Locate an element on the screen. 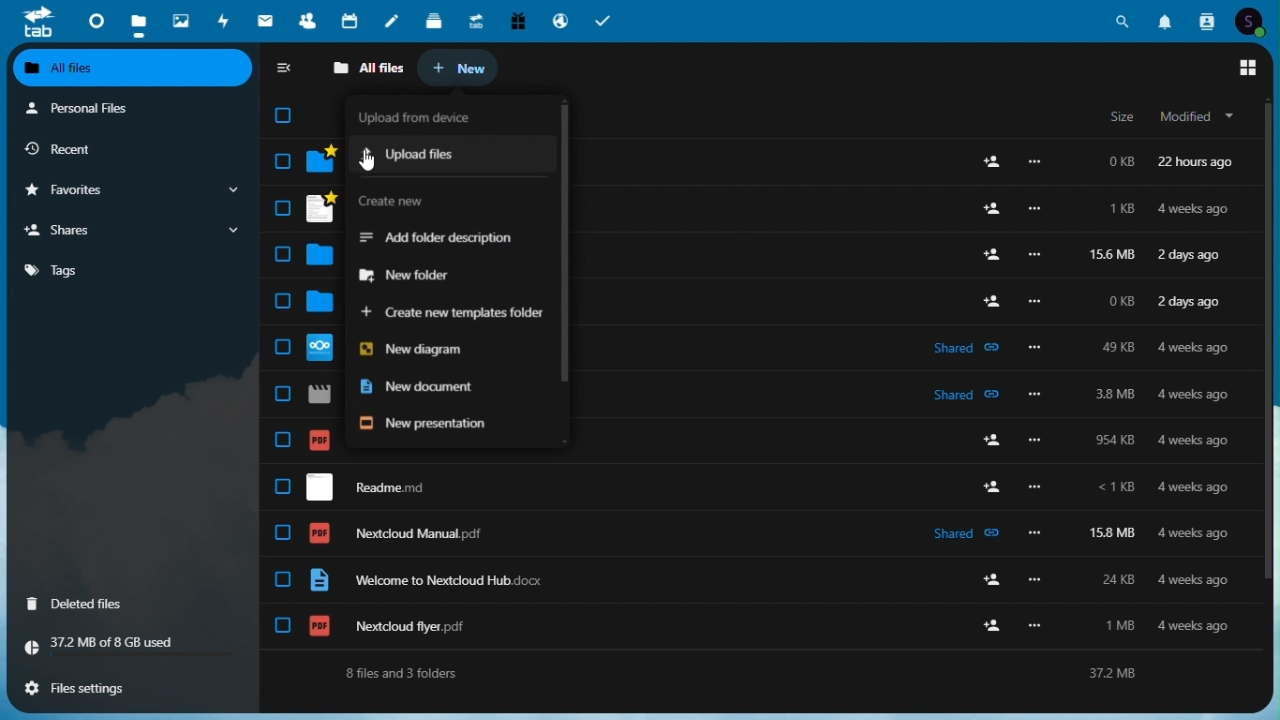 Image resolution: width=1280 pixels, height=720 pixels. more options is located at coordinates (1038, 627).